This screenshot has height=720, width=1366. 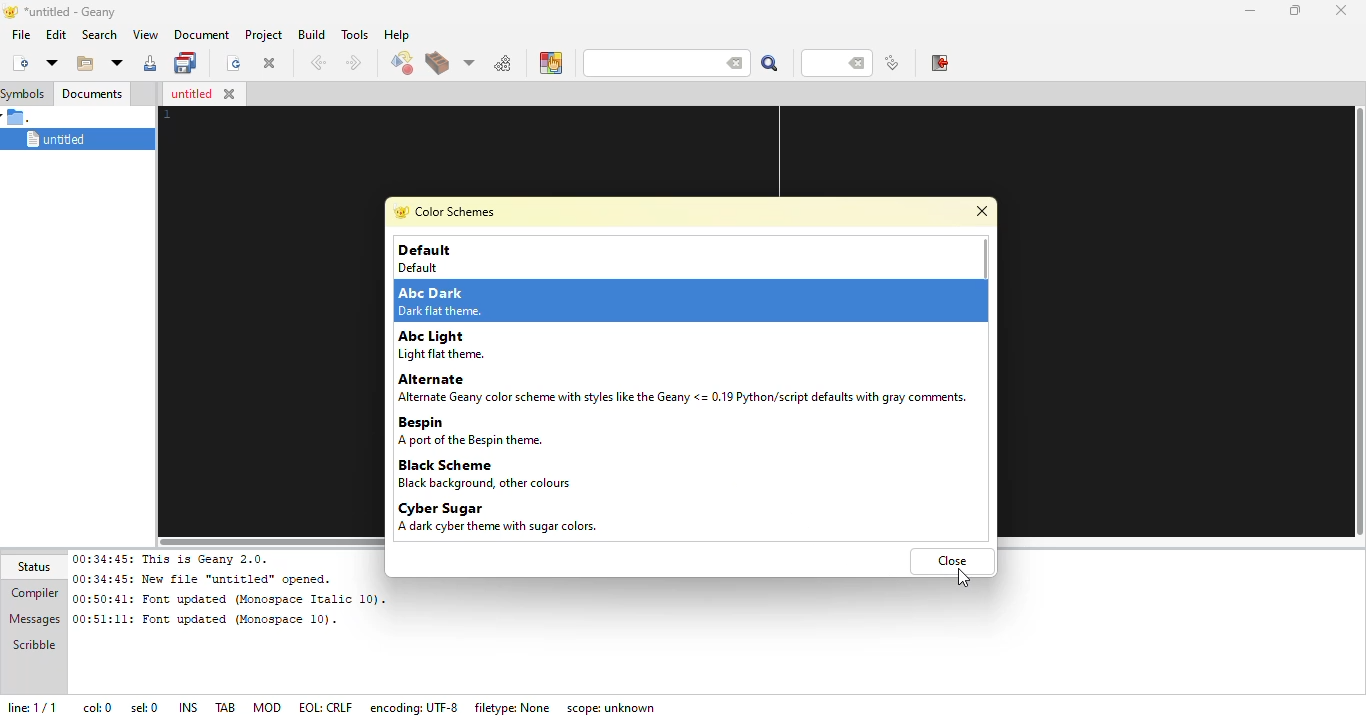 I want to click on new from template, so click(x=51, y=62).